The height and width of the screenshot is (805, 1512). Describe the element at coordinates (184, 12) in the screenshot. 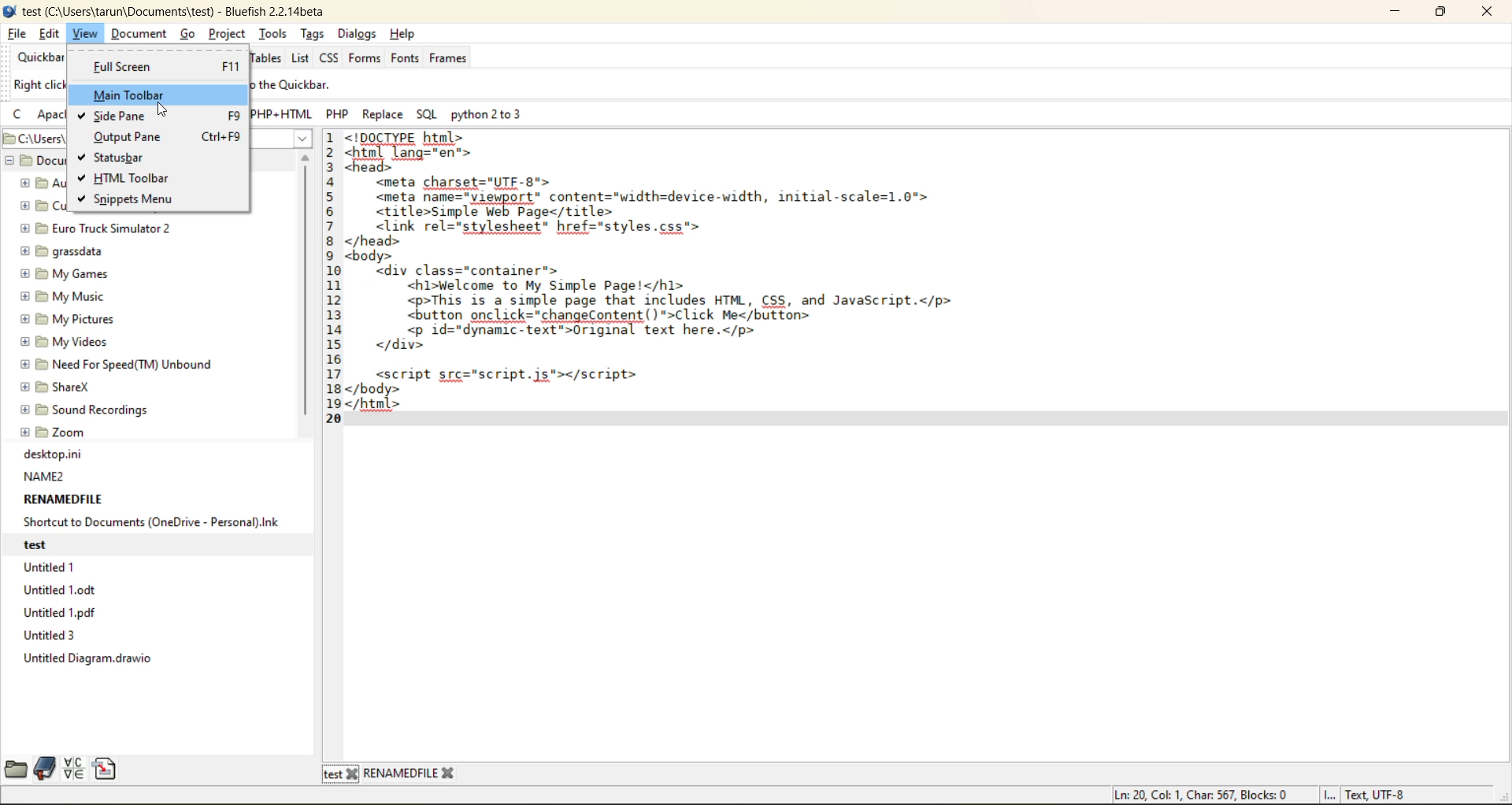

I see `file name and app name` at that location.